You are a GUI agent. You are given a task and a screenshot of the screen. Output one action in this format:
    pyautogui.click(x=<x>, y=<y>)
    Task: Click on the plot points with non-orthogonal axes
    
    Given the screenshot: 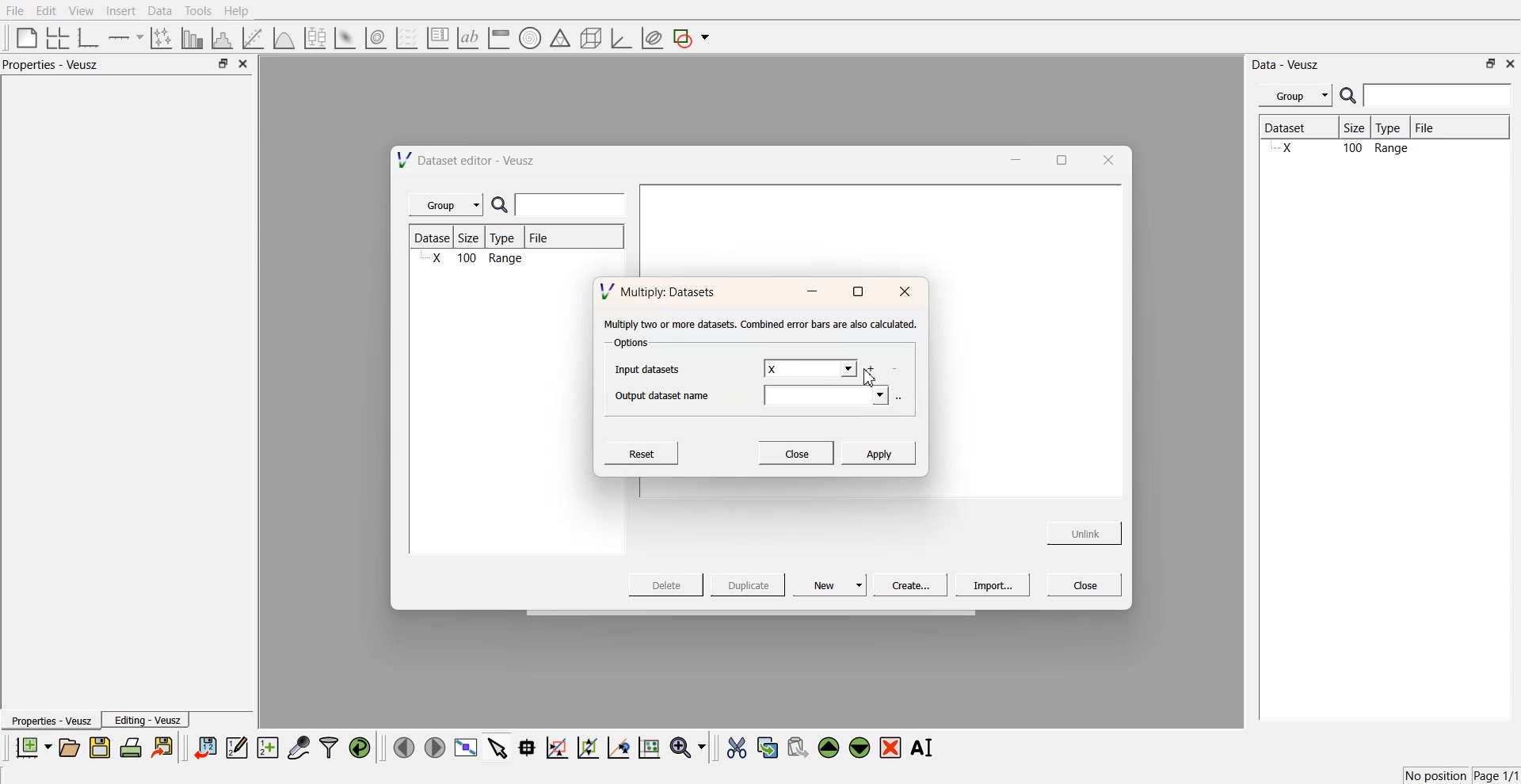 What is the action you would take?
    pyautogui.click(x=160, y=37)
    